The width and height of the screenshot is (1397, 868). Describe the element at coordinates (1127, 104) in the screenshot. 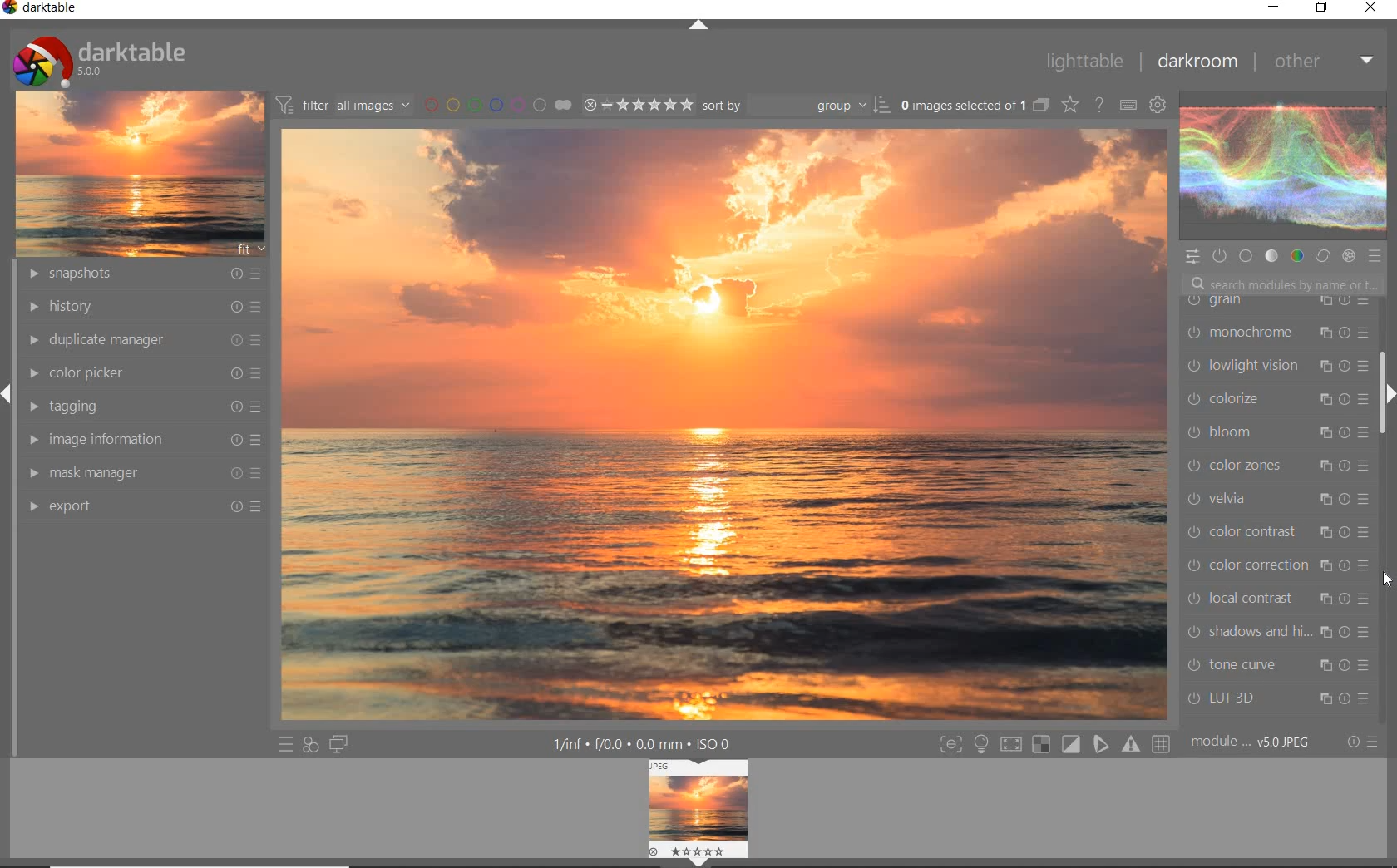

I see `define keyboard shortcut` at that location.